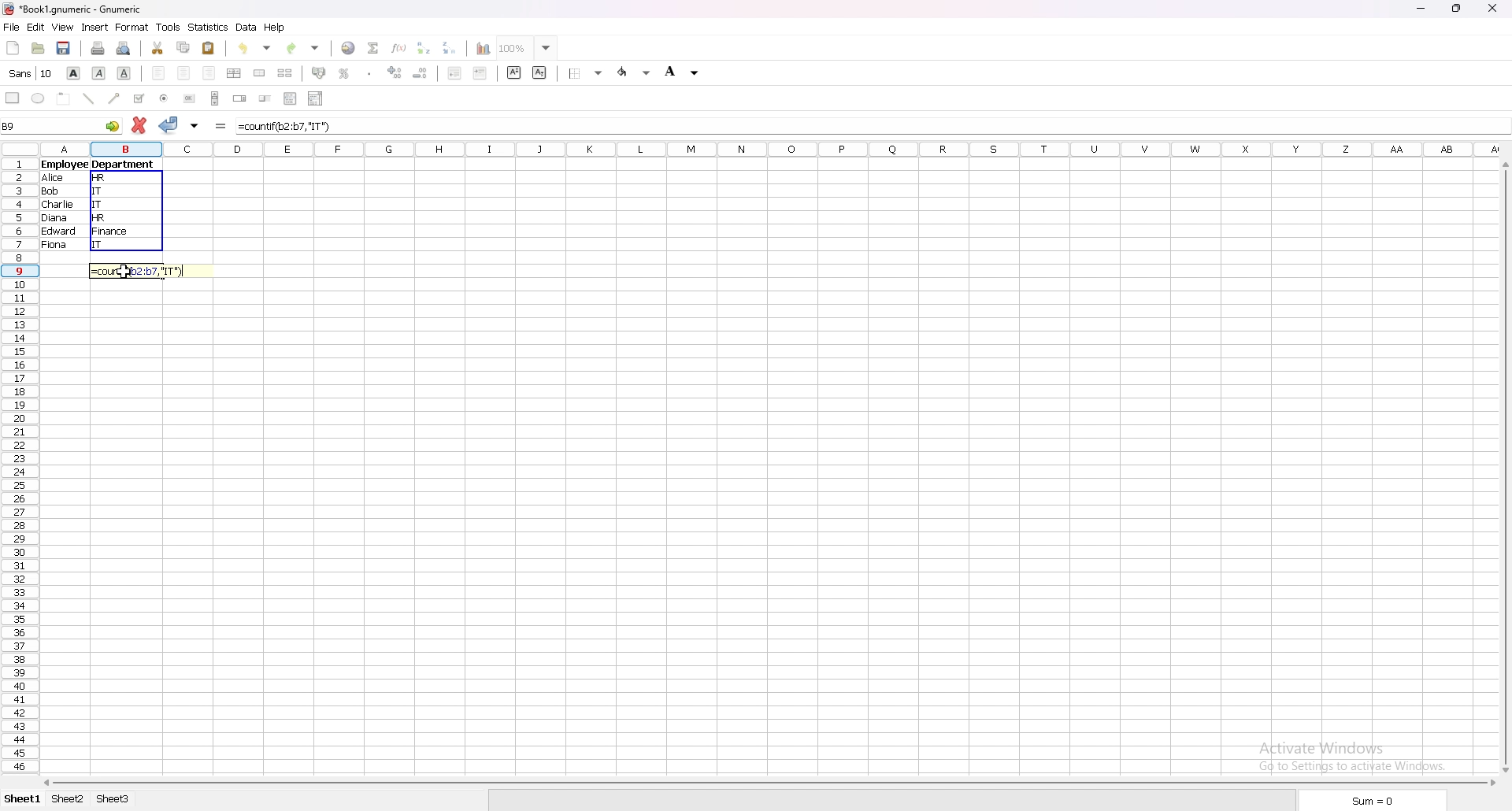 The width and height of the screenshot is (1512, 811). What do you see at coordinates (454, 73) in the screenshot?
I see `decrease indent` at bounding box center [454, 73].